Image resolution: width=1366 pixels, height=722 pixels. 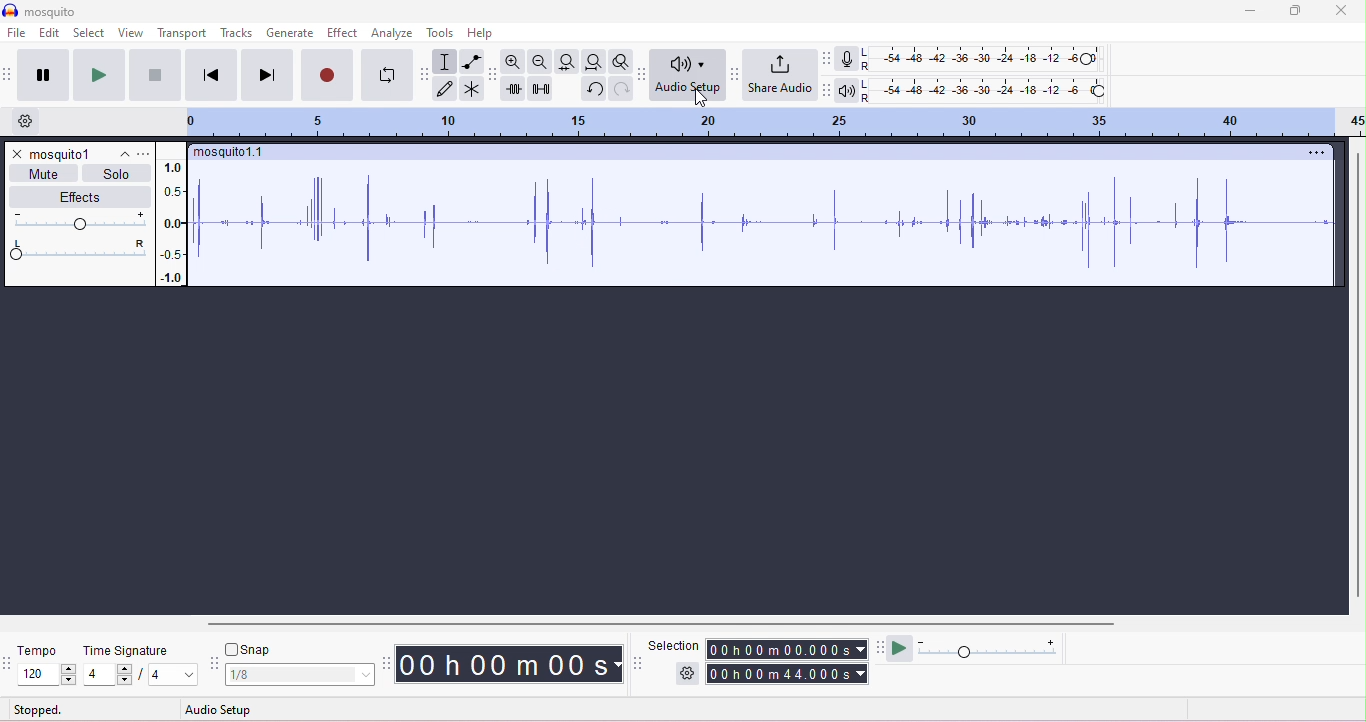 What do you see at coordinates (620, 88) in the screenshot?
I see `redo` at bounding box center [620, 88].